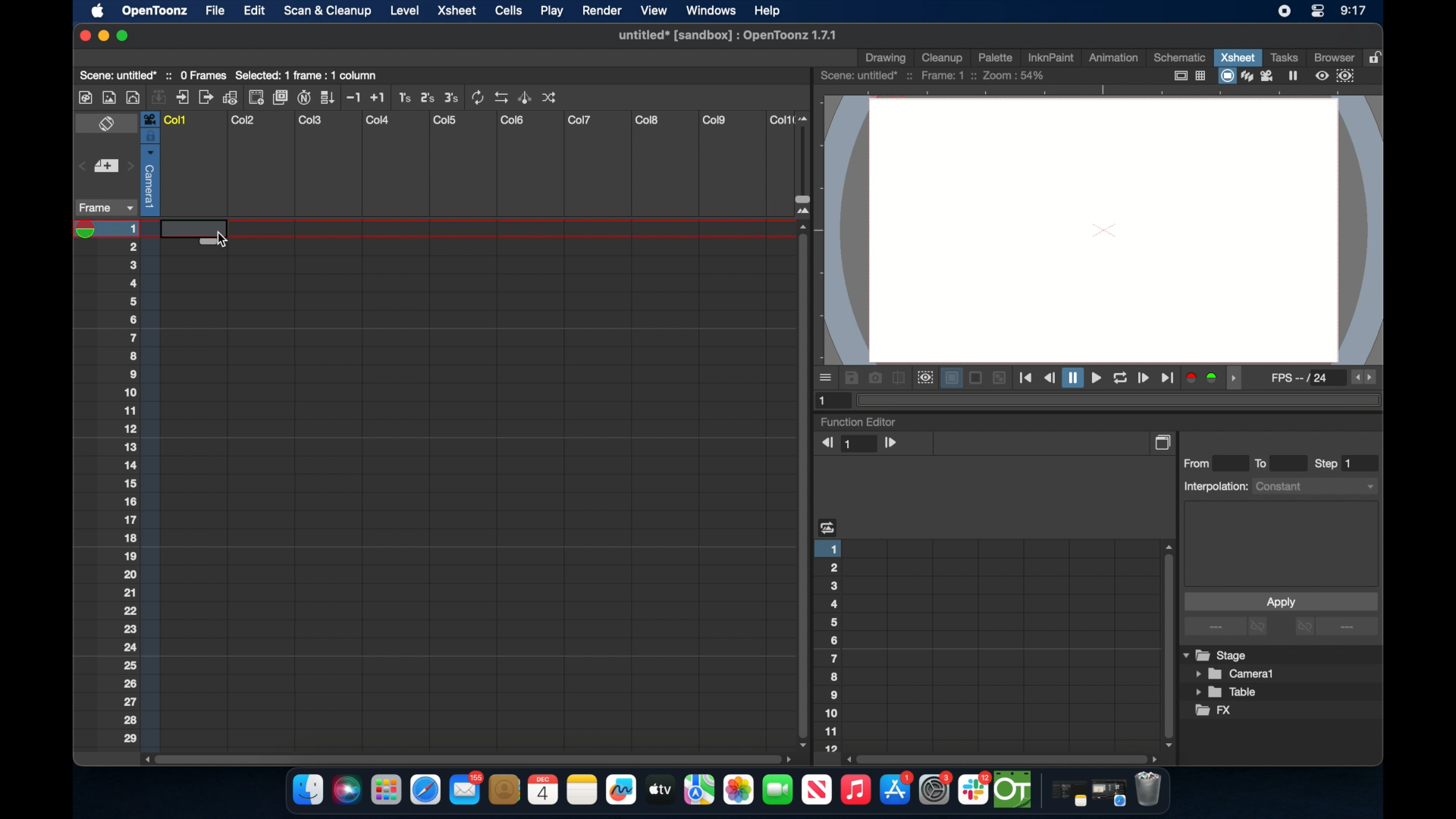 The image size is (1456, 819). What do you see at coordinates (1301, 381) in the screenshot?
I see `fps` at bounding box center [1301, 381].